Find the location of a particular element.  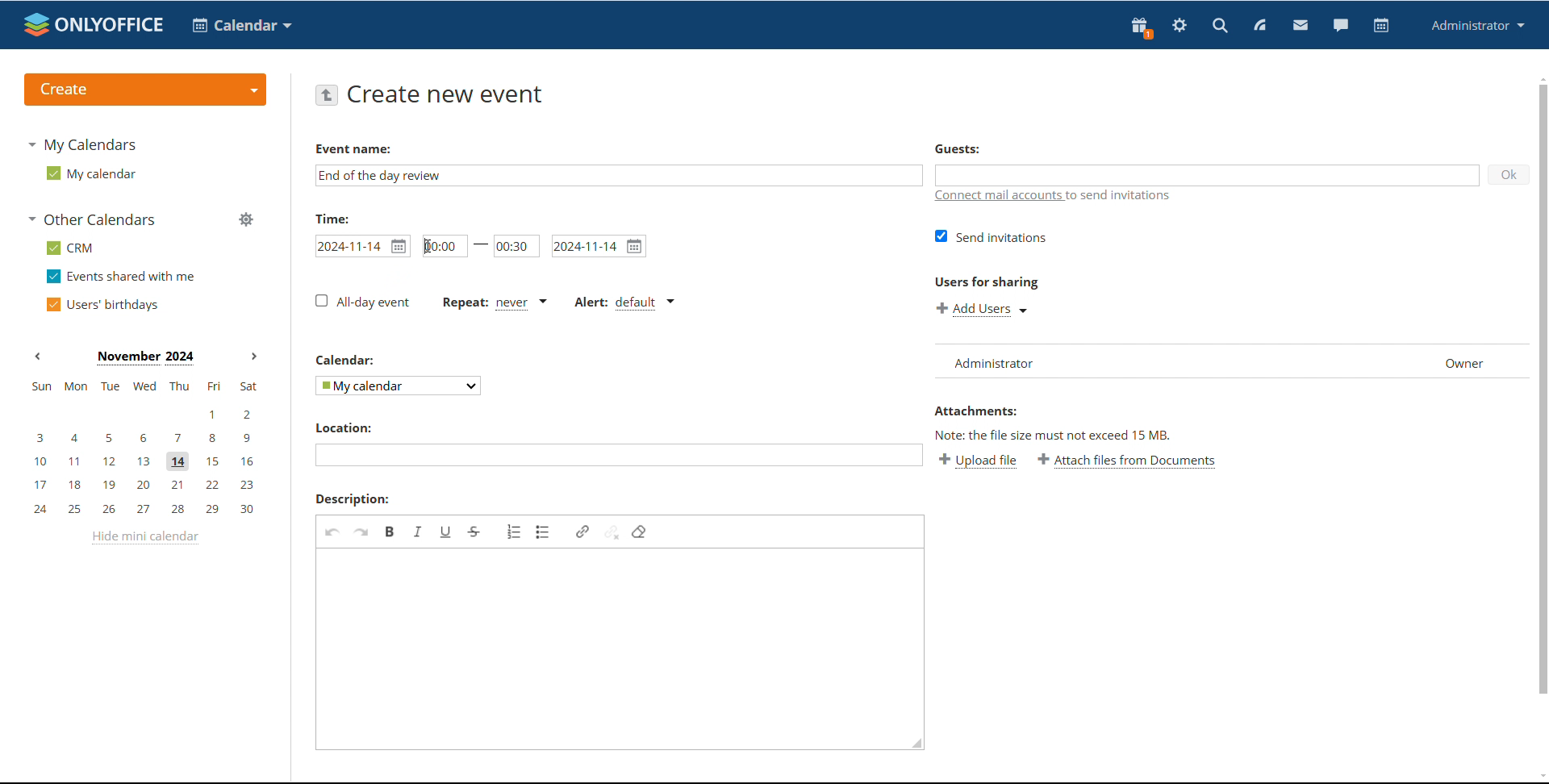

insert/remove bulleted list is located at coordinates (544, 532).